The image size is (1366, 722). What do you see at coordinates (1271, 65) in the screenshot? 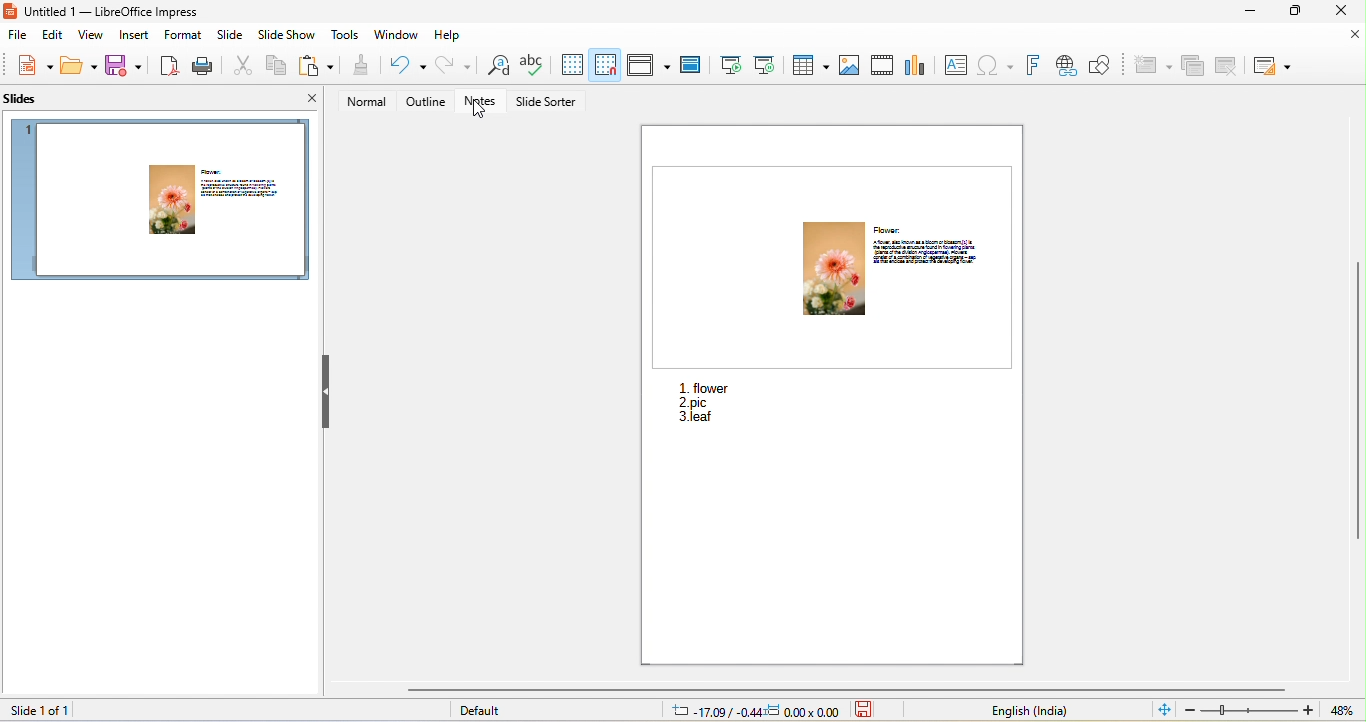
I see `calculator` at bounding box center [1271, 65].